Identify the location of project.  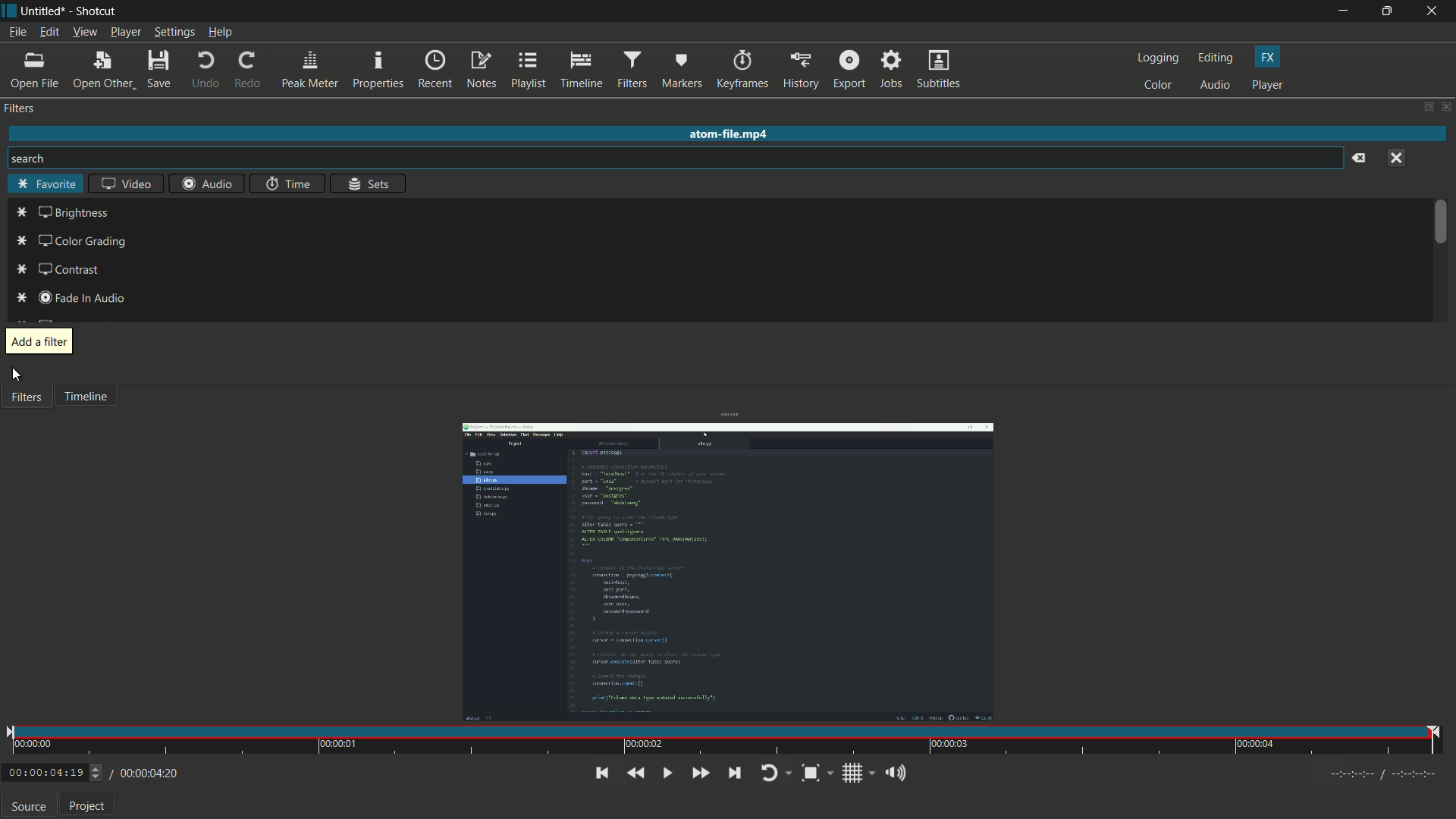
(89, 806).